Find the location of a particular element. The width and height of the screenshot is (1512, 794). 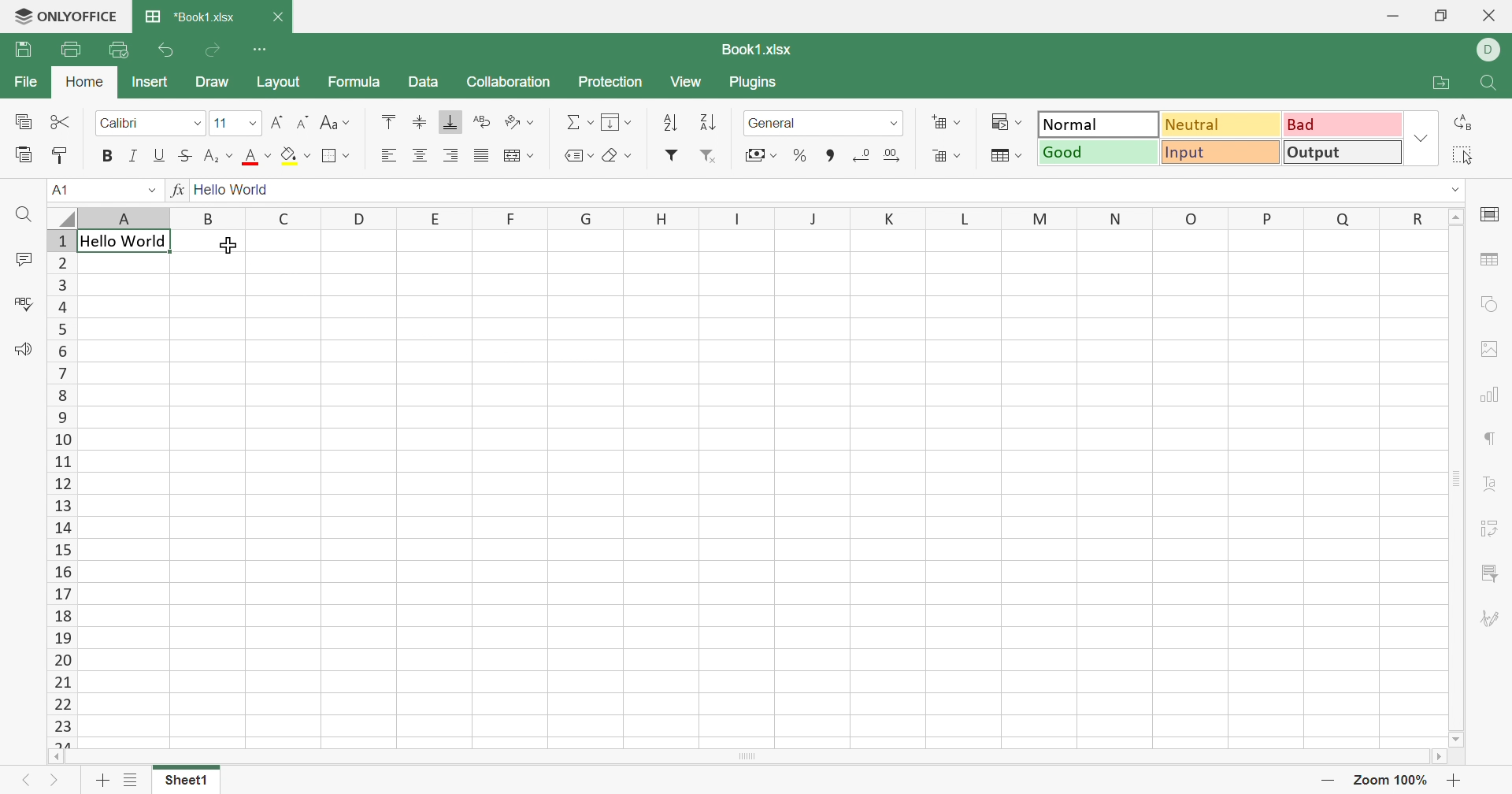

Strikethrough is located at coordinates (184, 154).